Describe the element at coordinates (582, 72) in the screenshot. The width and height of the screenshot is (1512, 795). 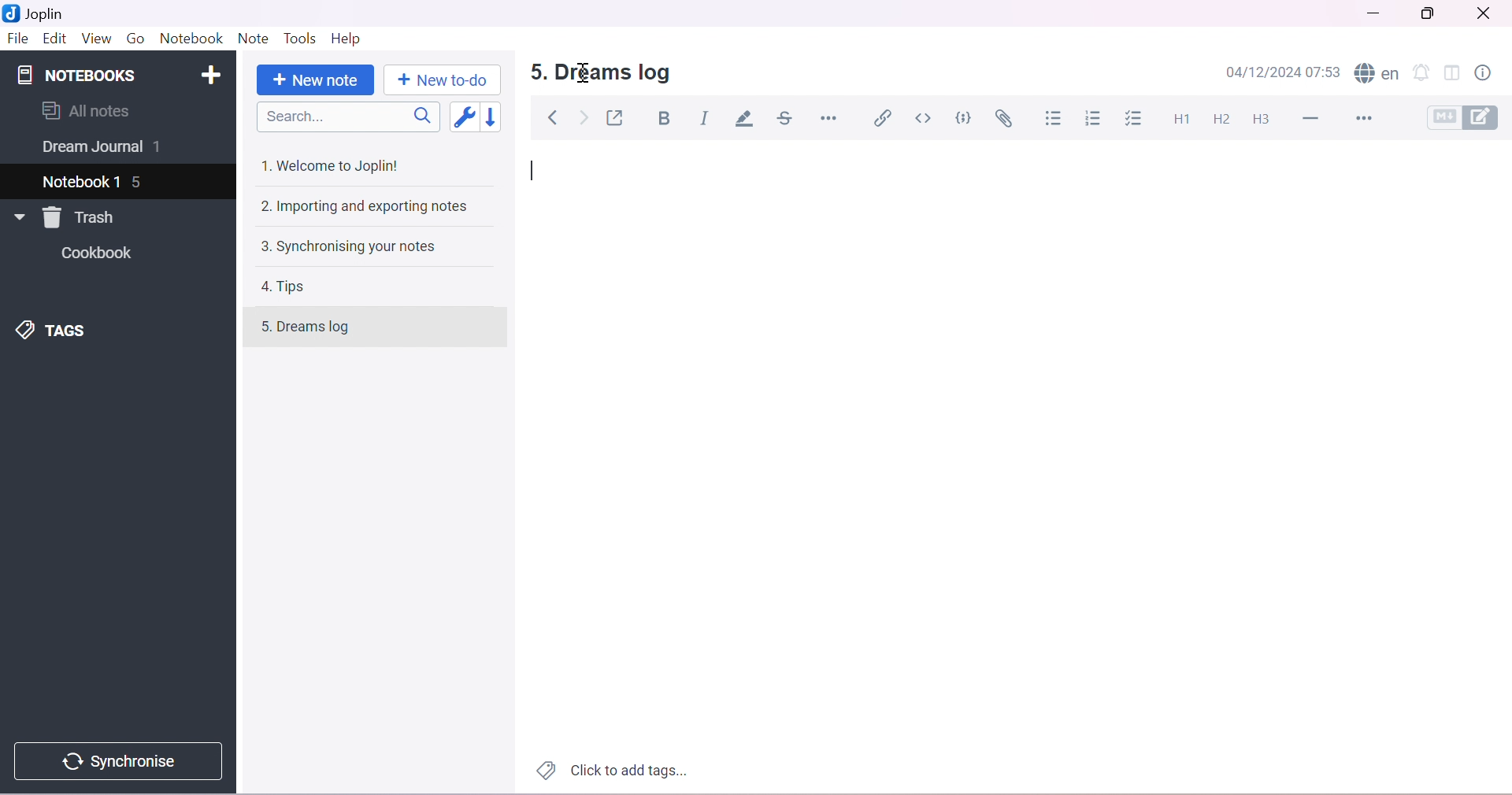
I see `Cursor` at that location.